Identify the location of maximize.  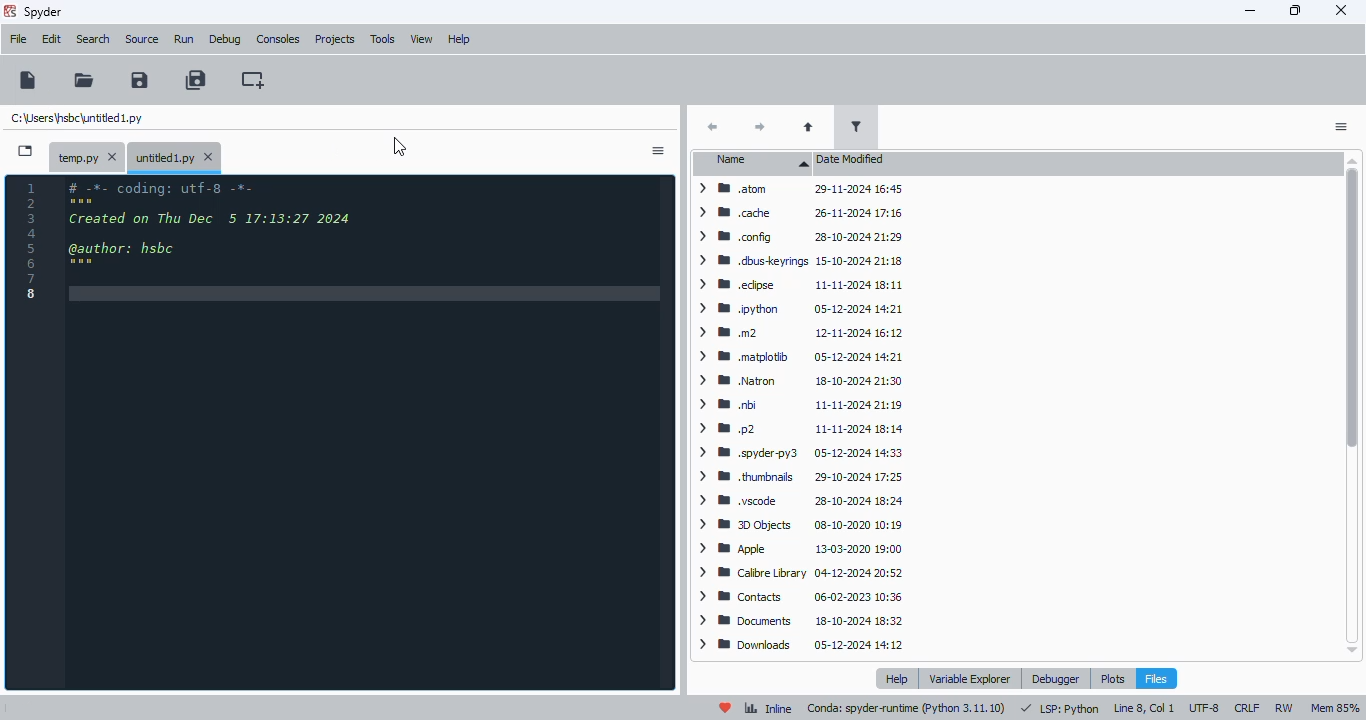
(1296, 10).